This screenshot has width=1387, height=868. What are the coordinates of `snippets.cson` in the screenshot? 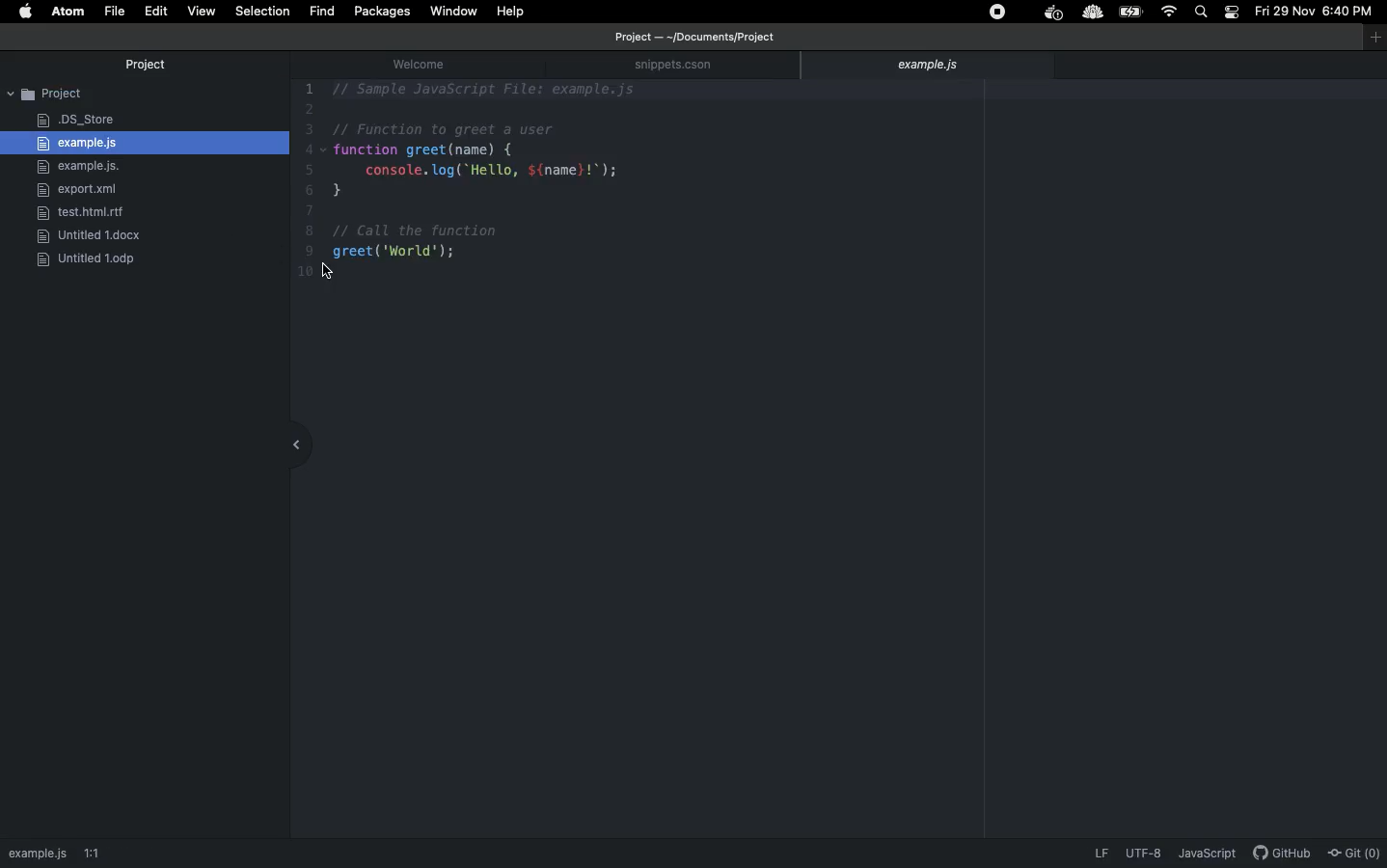 It's located at (691, 66).